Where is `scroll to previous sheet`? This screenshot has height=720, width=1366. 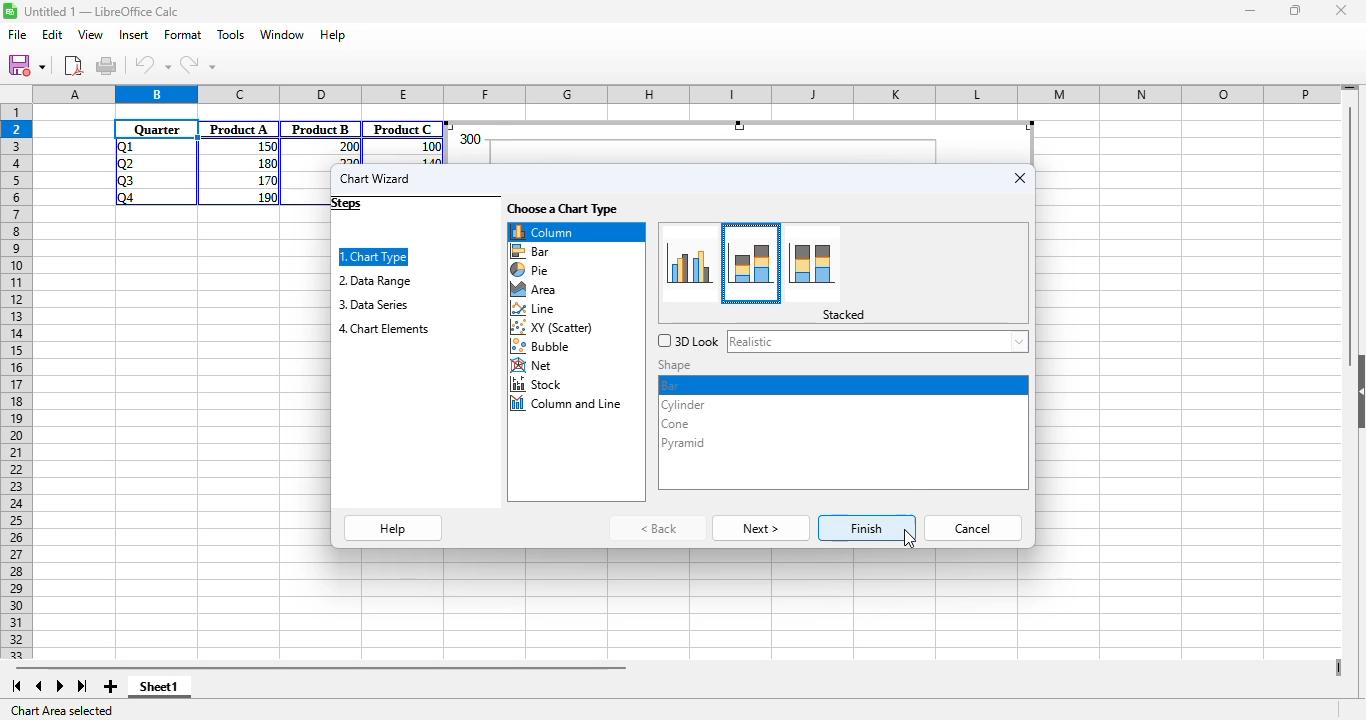
scroll to previous sheet is located at coordinates (39, 686).